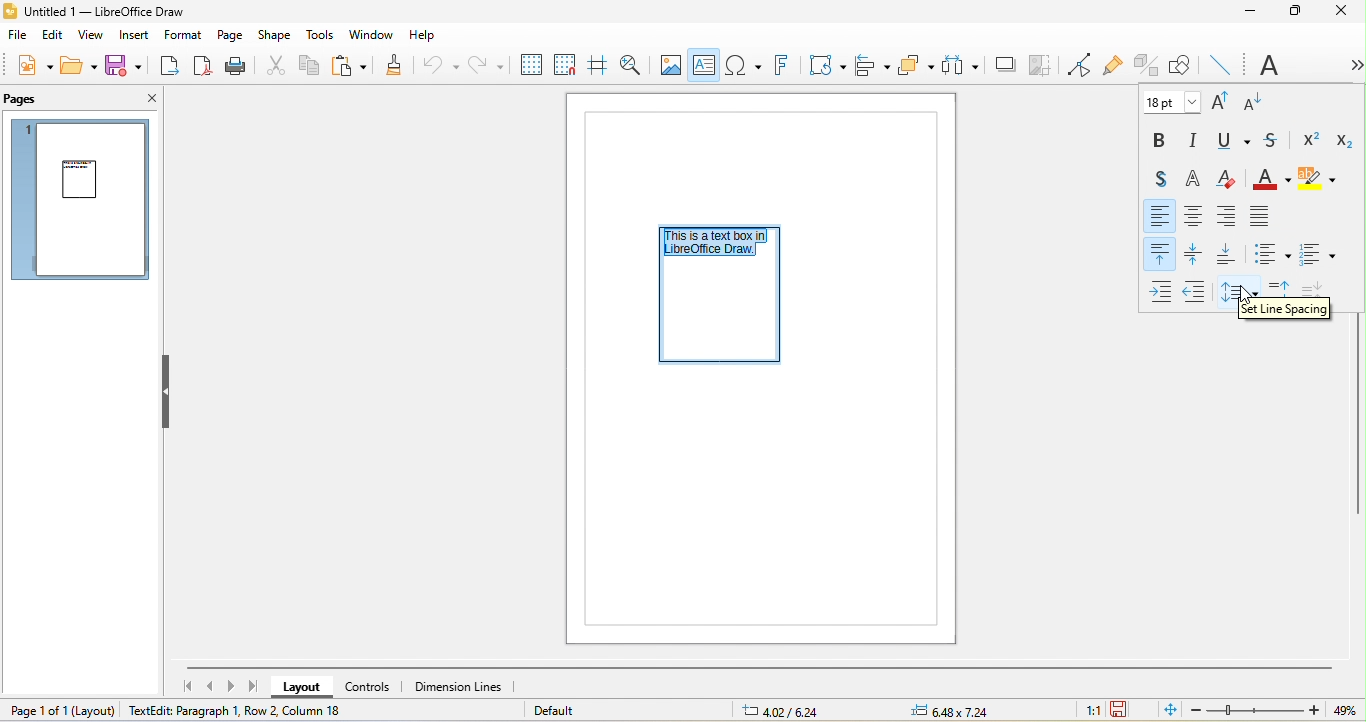 This screenshot has height=722, width=1366. What do you see at coordinates (1125, 711) in the screenshot?
I see `the document has not been modified since the last save` at bounding box center [1125, 711].